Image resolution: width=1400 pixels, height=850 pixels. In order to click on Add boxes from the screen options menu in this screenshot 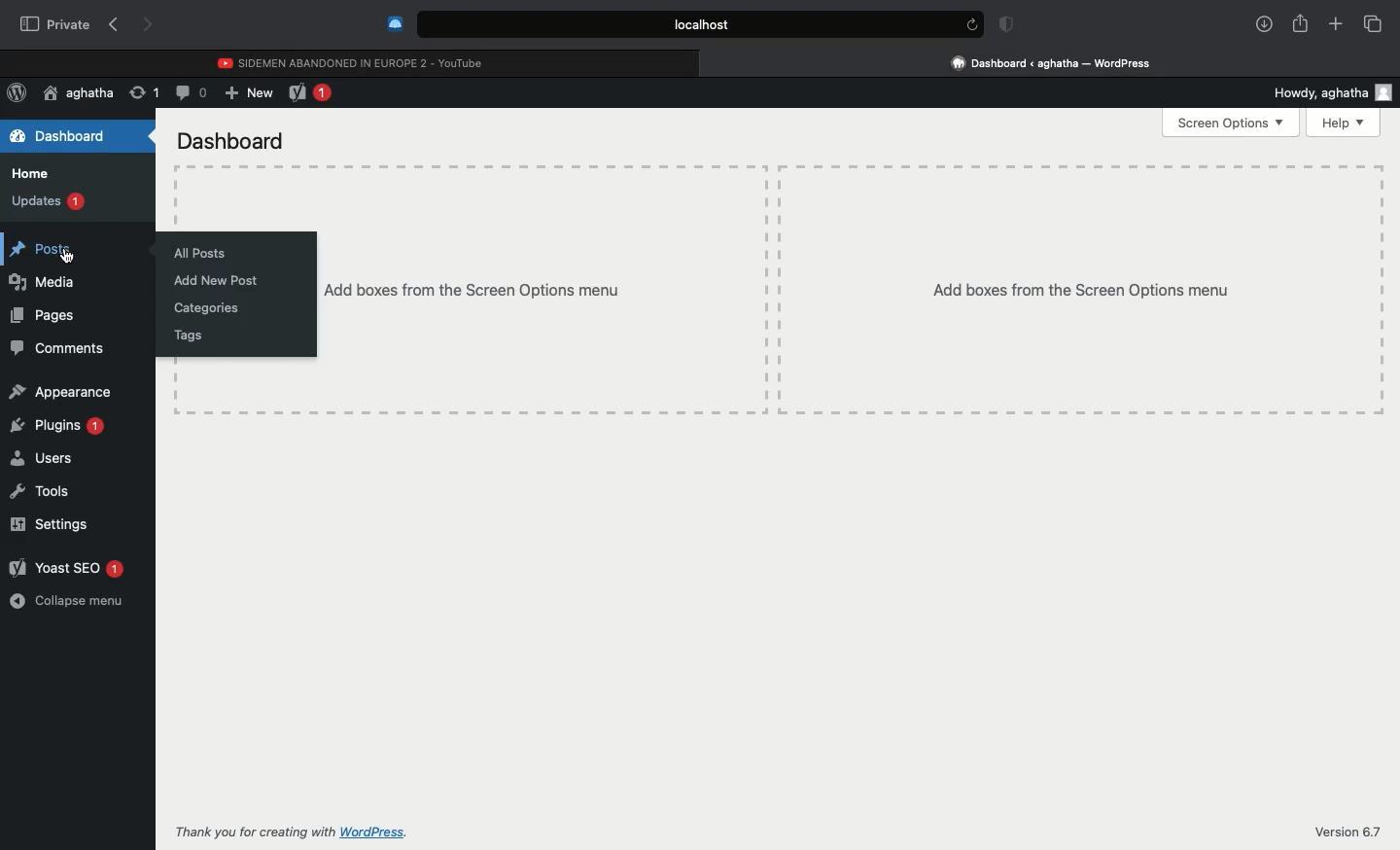, I will do `click(1083, 288)`.